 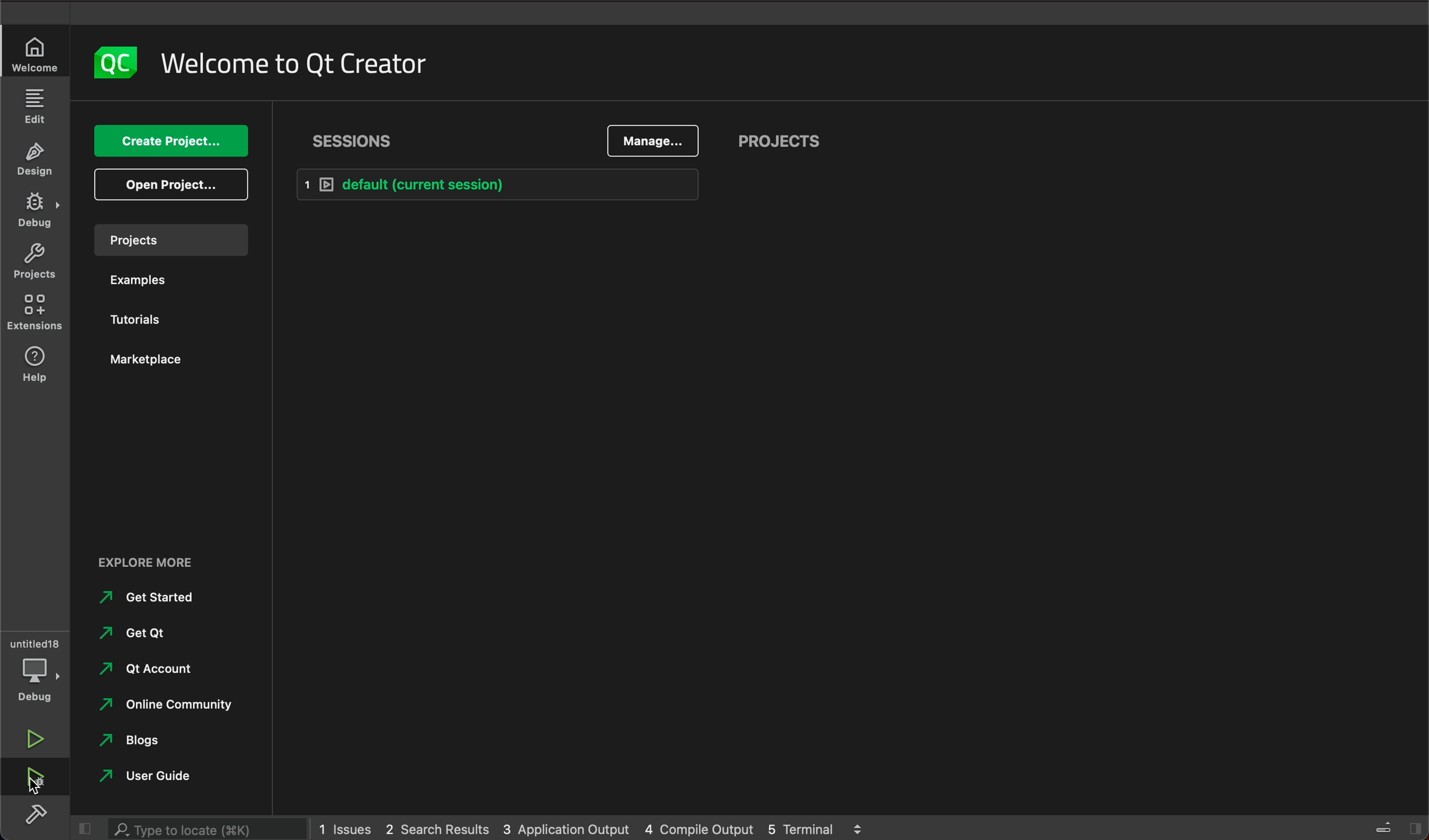 What do you see at coordinates (42, 786) in the screenshot?
I see `cursor` at bounding box center [42, 786].